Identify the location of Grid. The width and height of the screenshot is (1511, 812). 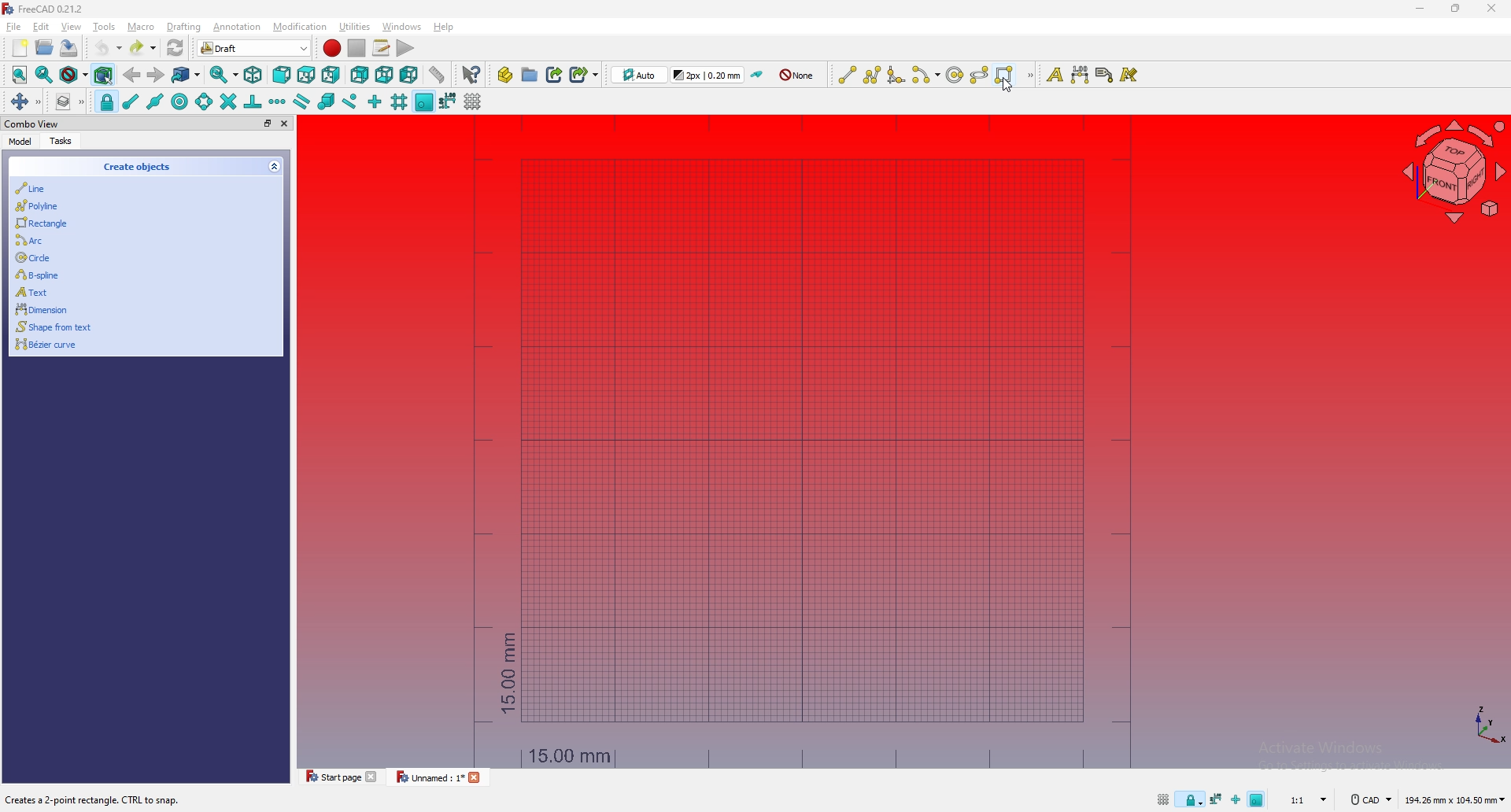
(805, 440).